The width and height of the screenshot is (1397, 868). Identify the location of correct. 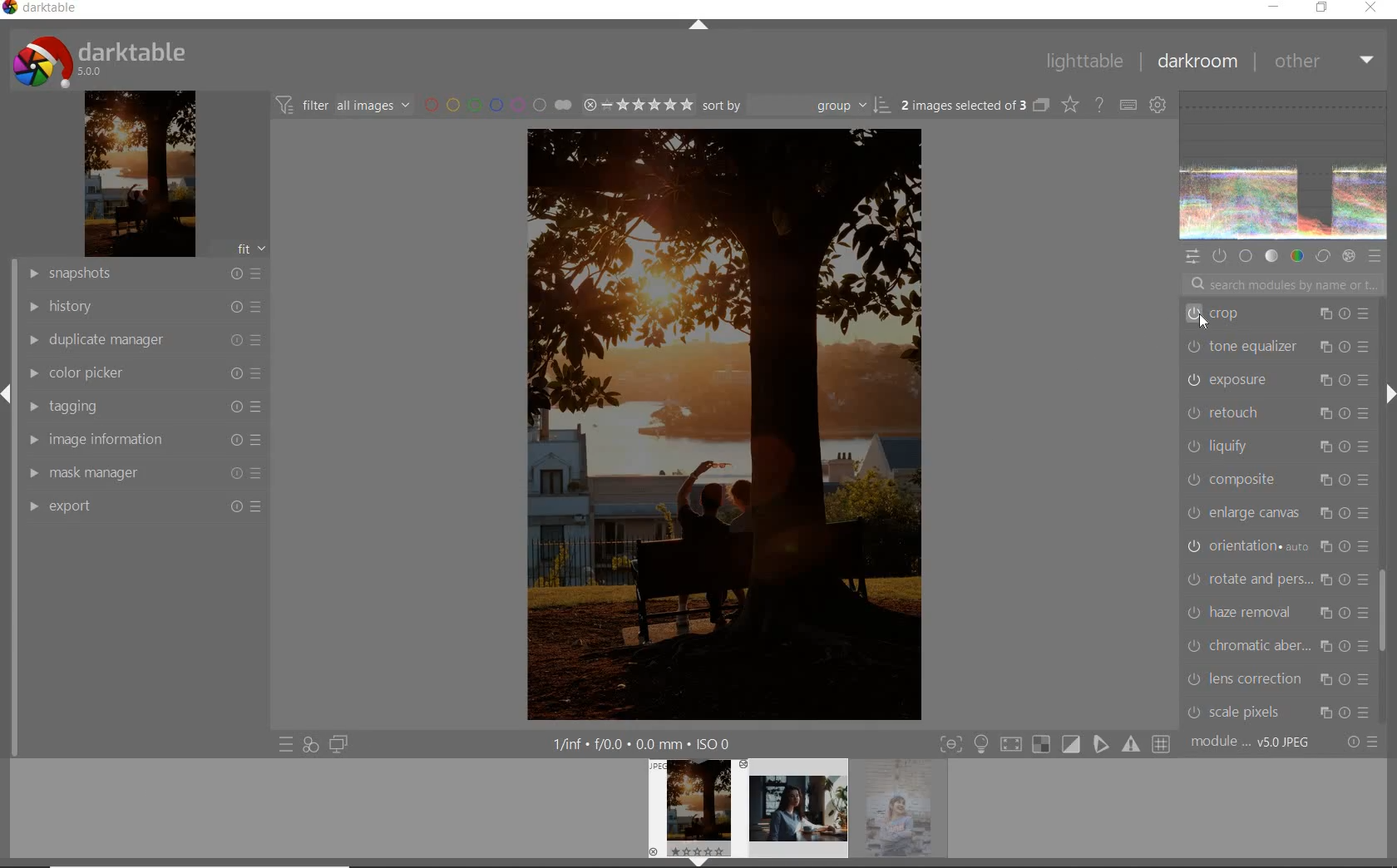
(1321, 255).